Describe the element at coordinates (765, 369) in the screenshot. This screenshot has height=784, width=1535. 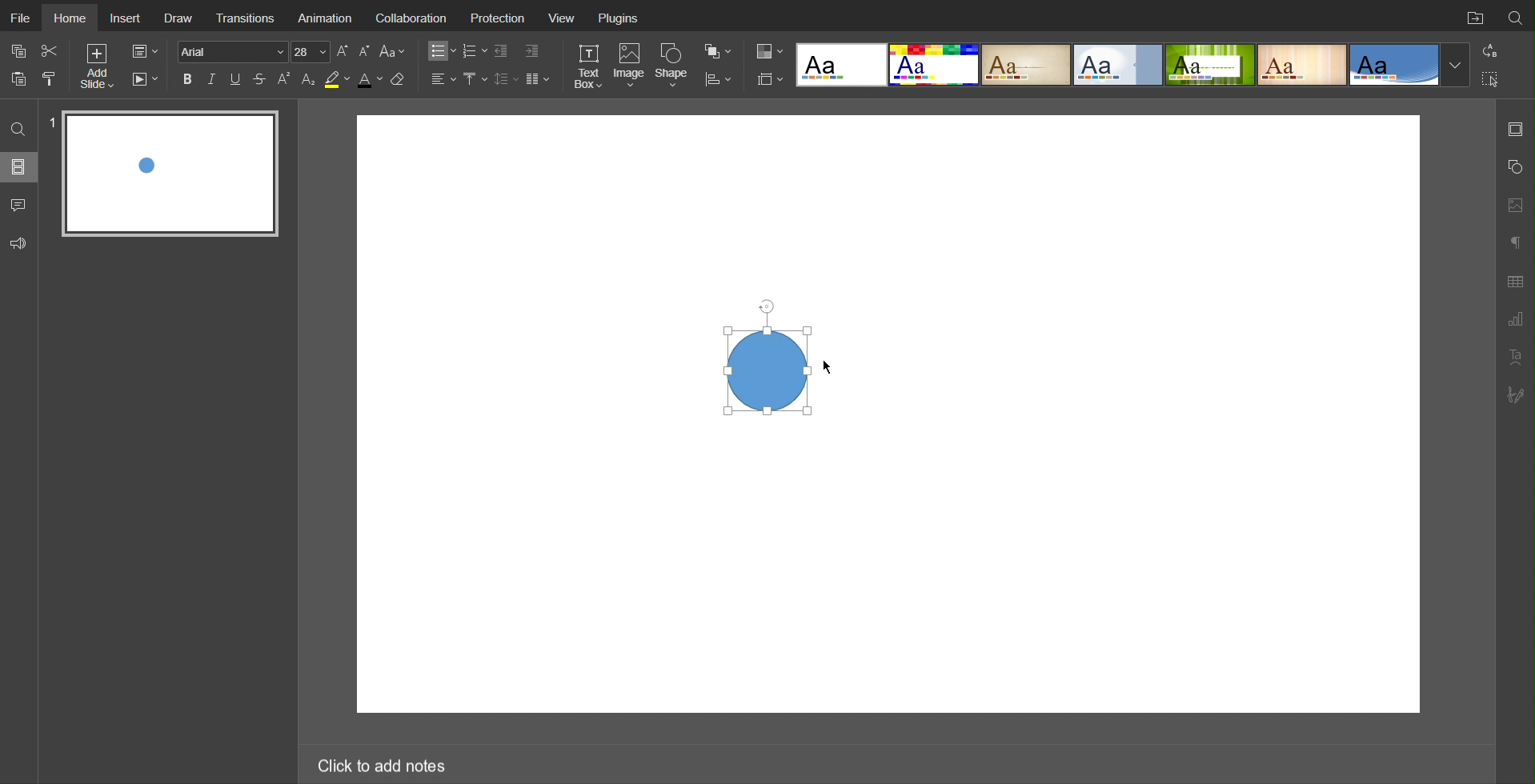
I see `Circle` at that location.